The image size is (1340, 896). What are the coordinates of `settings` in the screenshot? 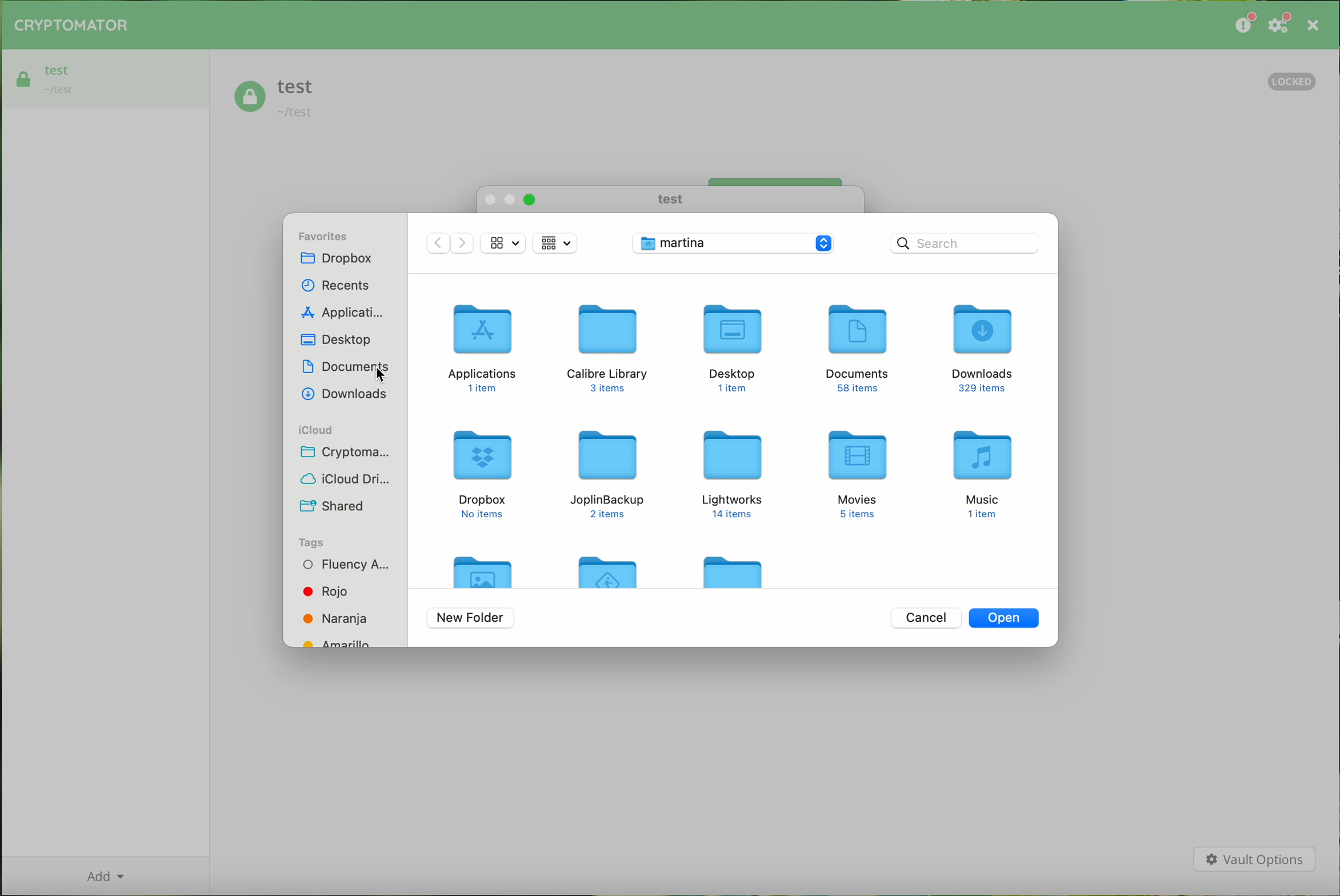 It's located at (1281, 26).